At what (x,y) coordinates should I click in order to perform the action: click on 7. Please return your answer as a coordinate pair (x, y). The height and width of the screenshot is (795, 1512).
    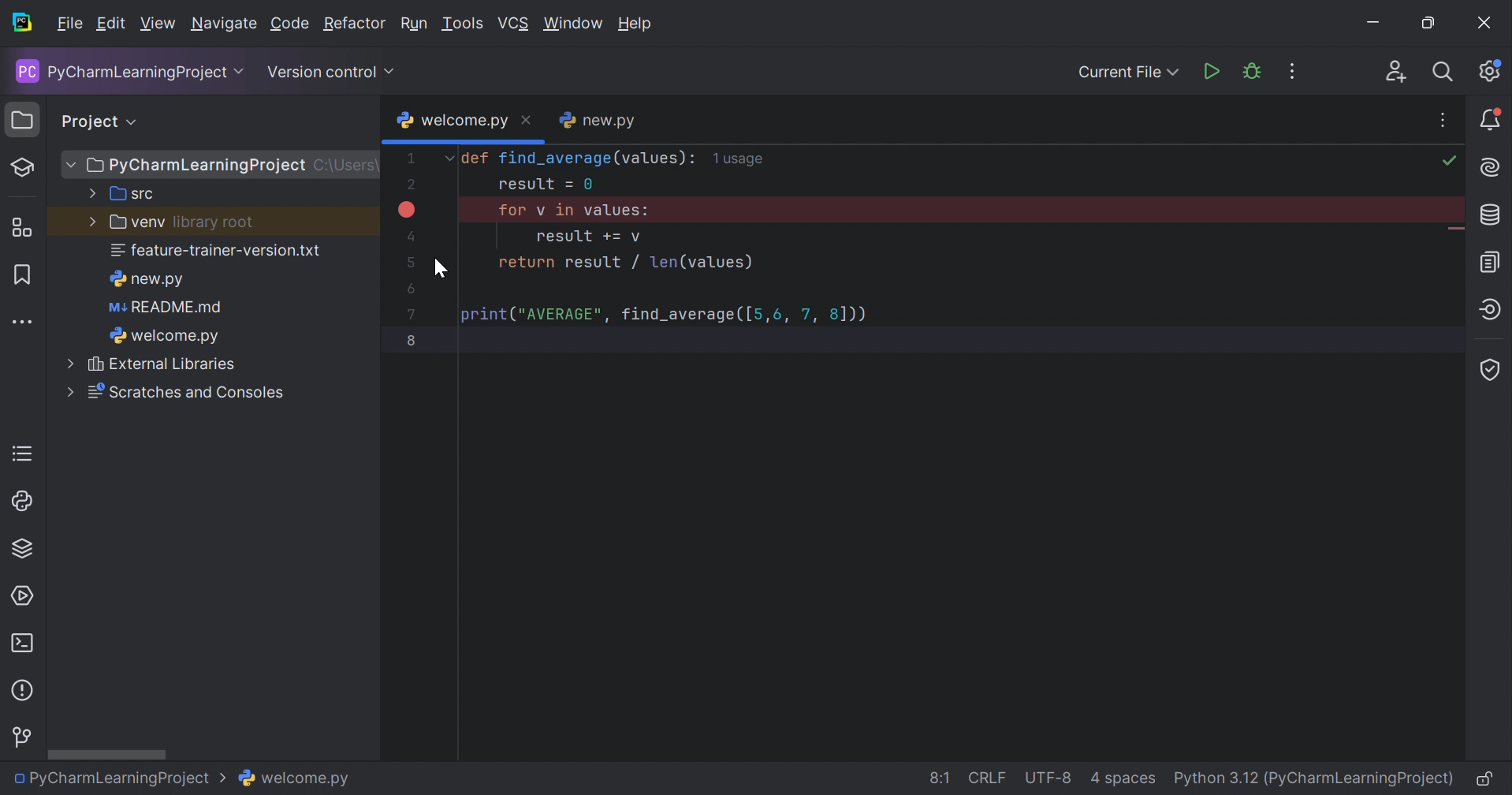
    Looking at the image, I should click on (415, 315).